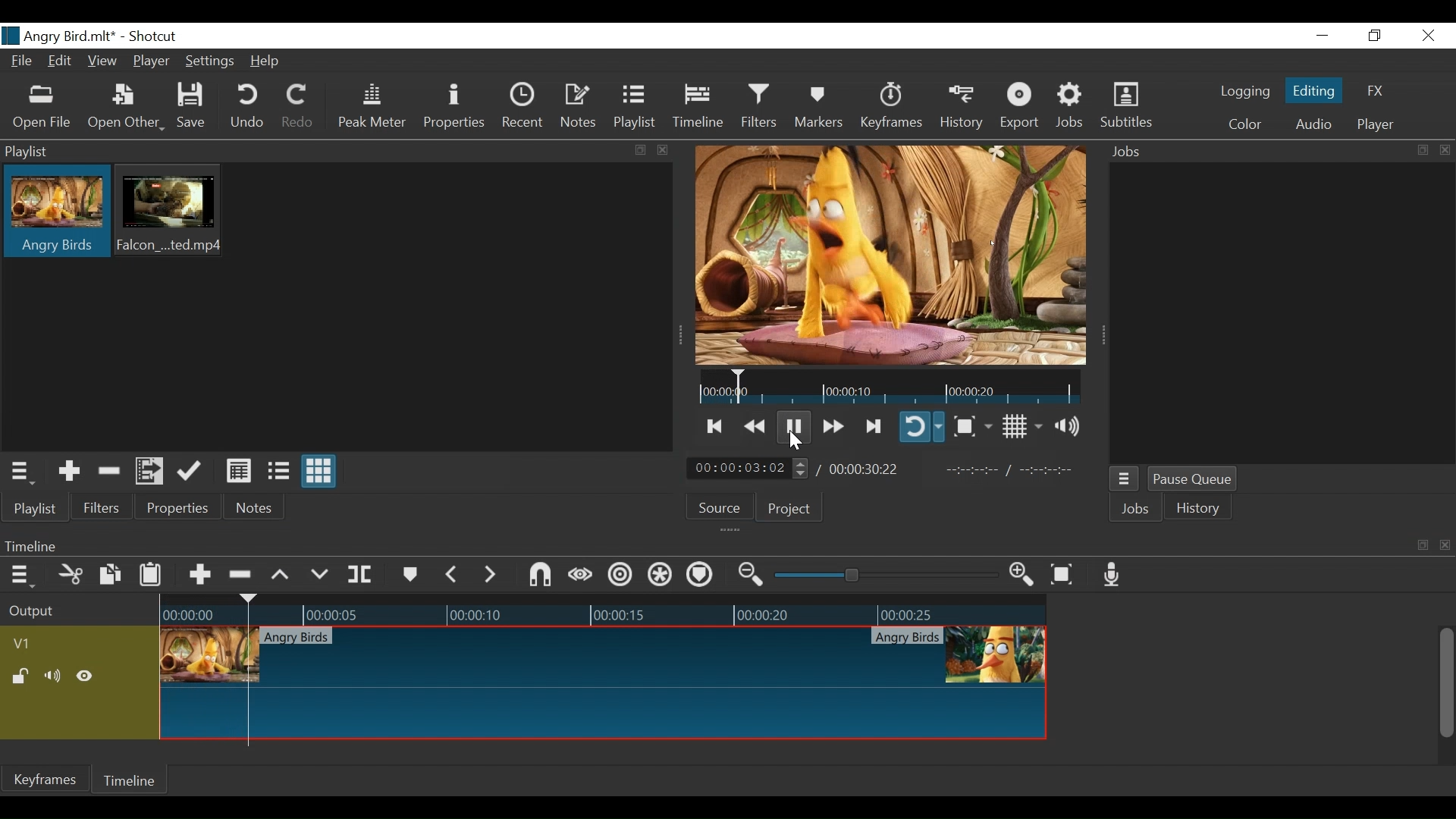 This screenshot has height=819, width=1456. Describe the element at coordinates (212, 61) in the screenshot. I see `Settings` at that location.